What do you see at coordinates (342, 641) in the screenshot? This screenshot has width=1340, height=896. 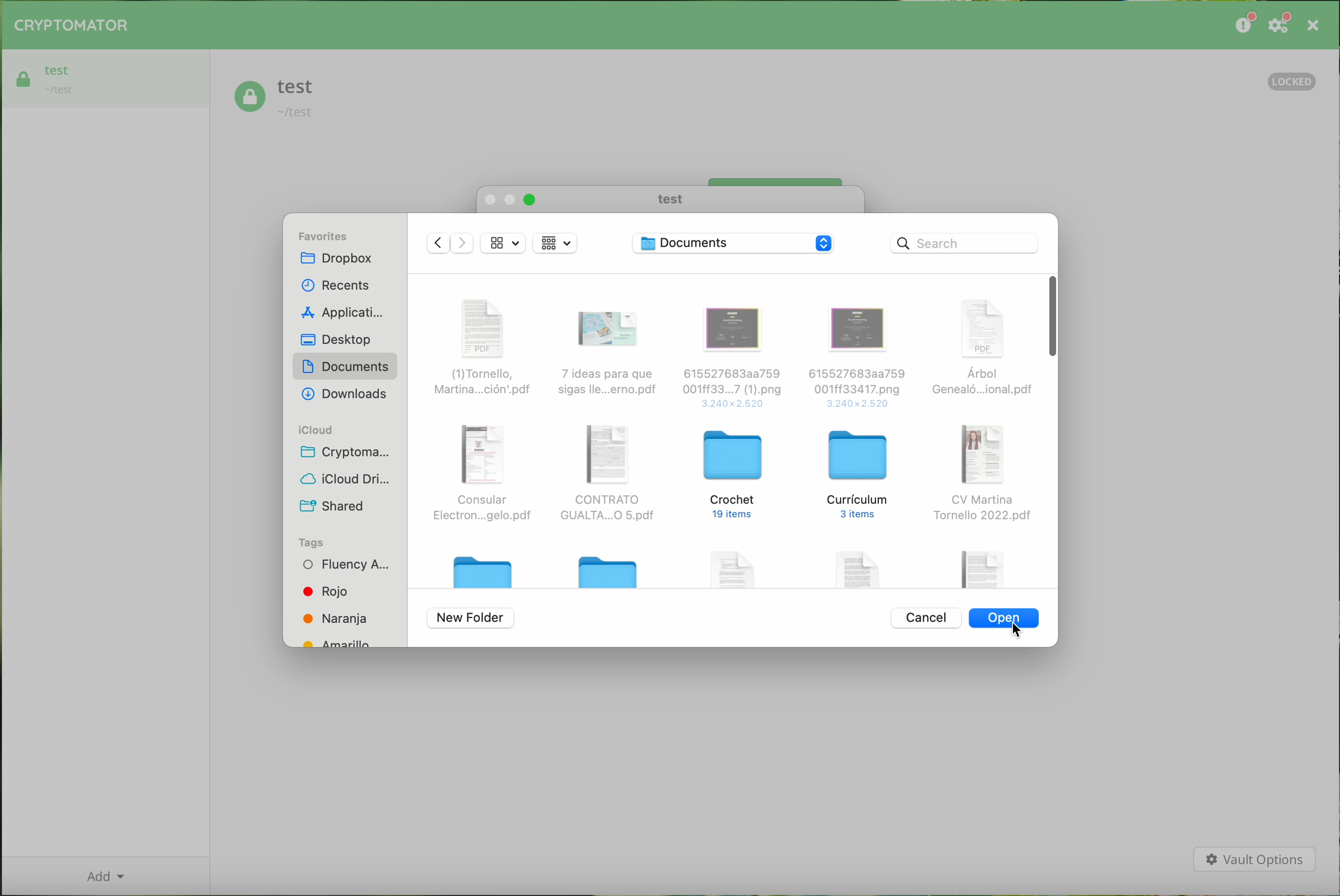 I see `yellow` at bounding box center [342, 641].